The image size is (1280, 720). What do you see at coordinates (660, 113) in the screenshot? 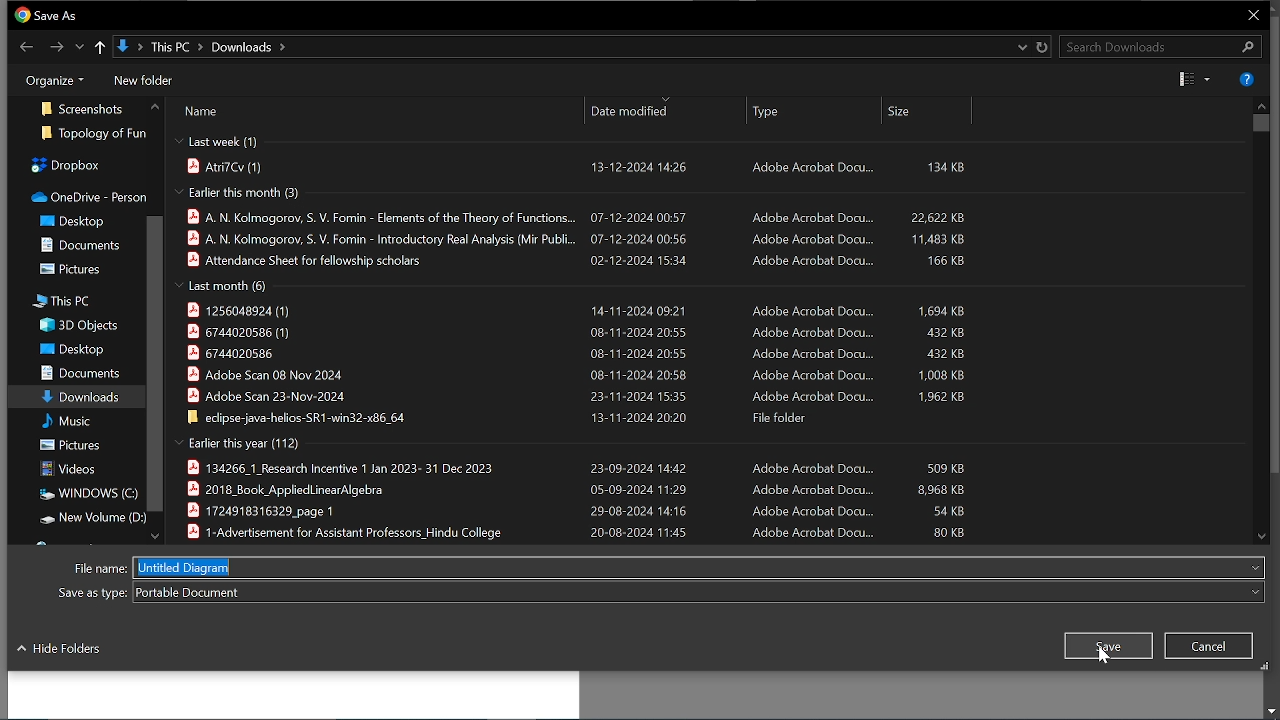
I see `date modified` at bounding box center [660, 113].